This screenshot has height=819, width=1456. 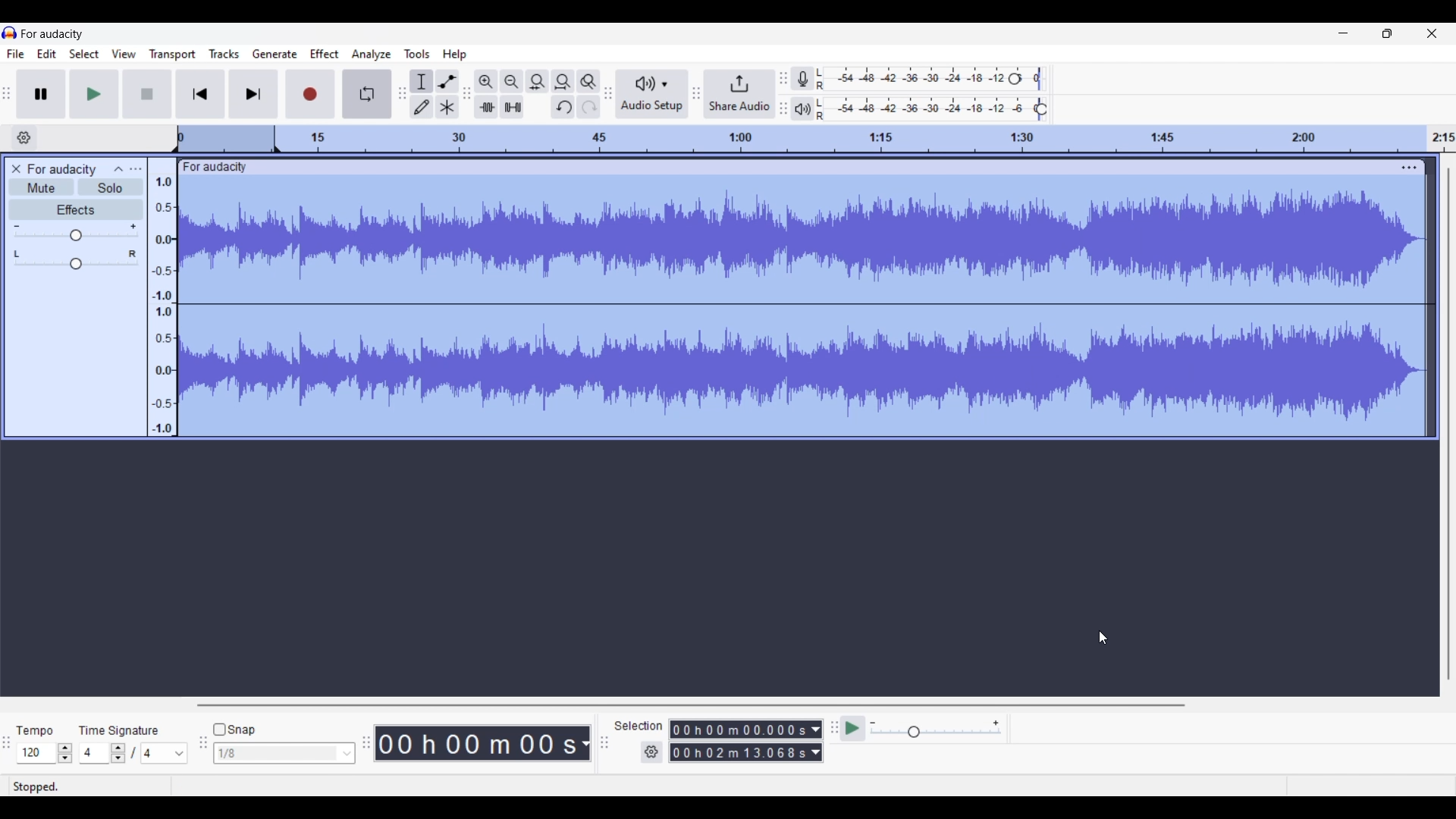 I want to click on Change playback speed, so click(x=935, y=733).